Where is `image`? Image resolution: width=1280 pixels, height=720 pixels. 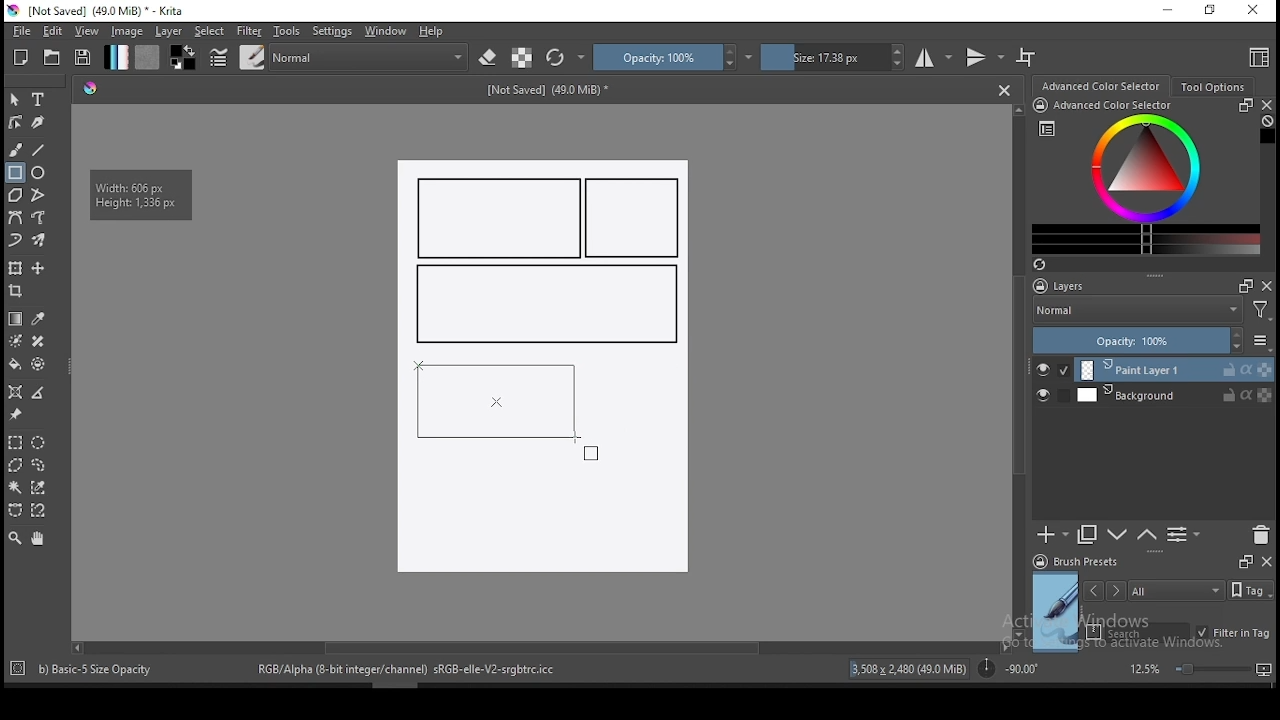 image is located at coordinates (126, 31).